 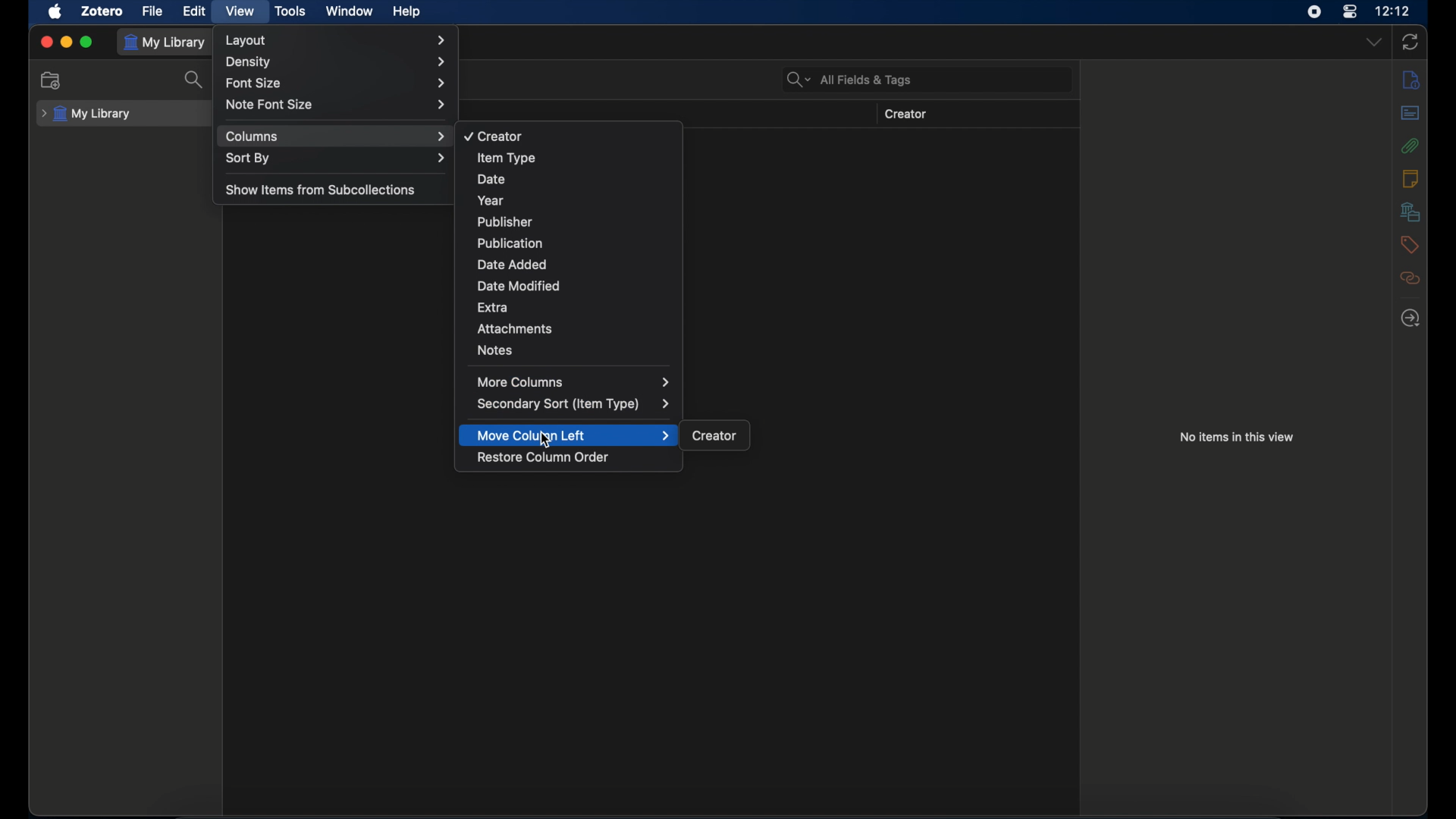 I want to click on notes, so click(x=1410, y=177).